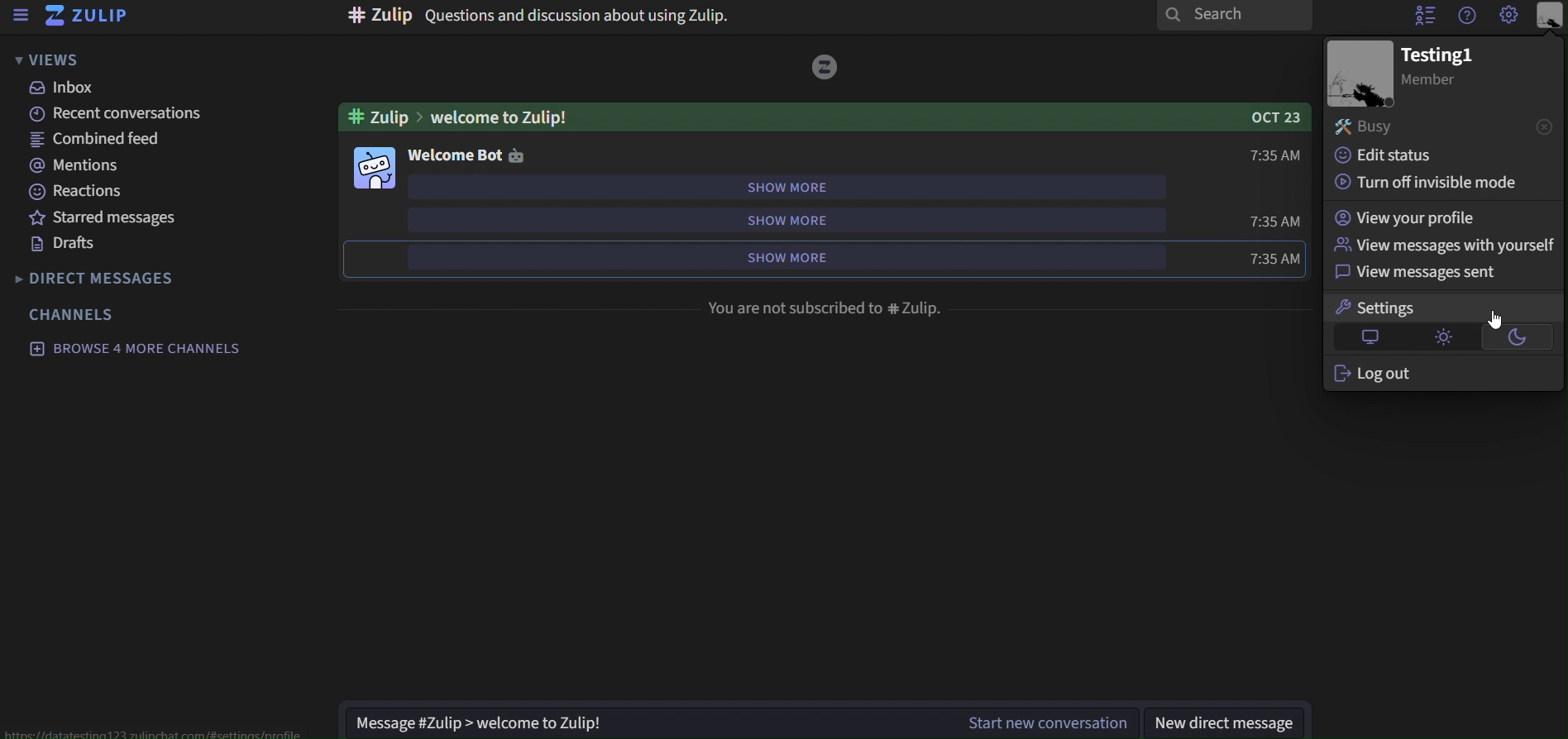  I want to click on main menu, so click(1551, 16).